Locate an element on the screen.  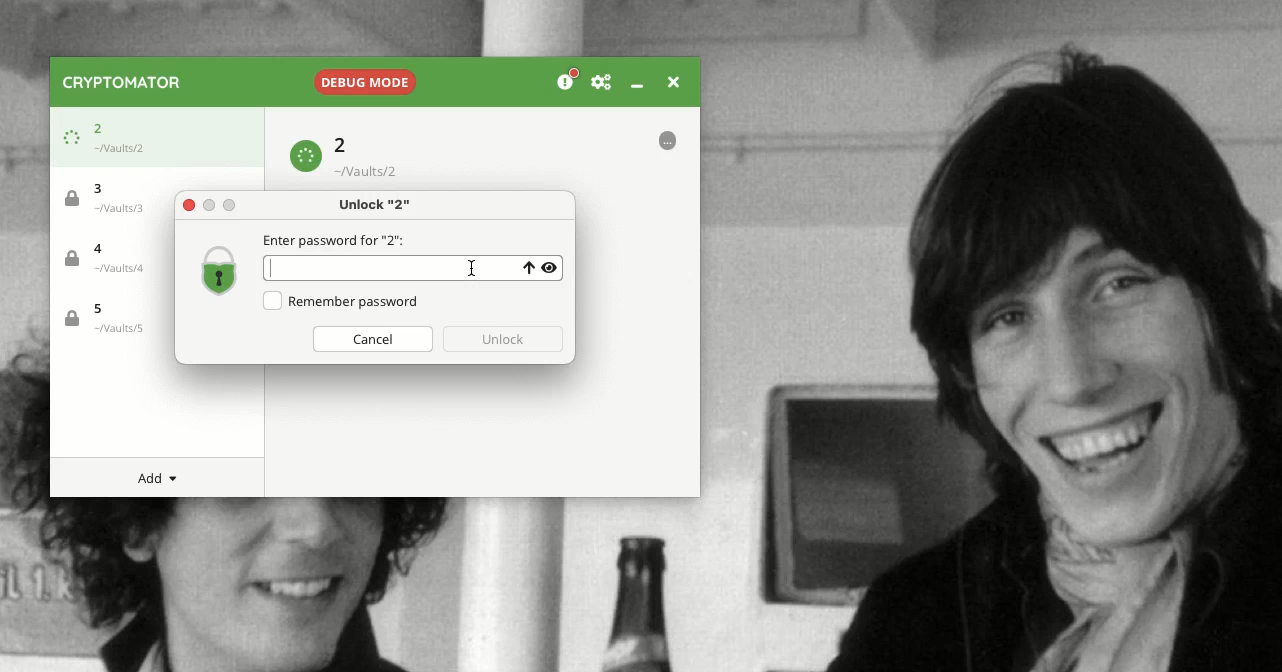
Vault 5 is located at coordinates (104, 319).